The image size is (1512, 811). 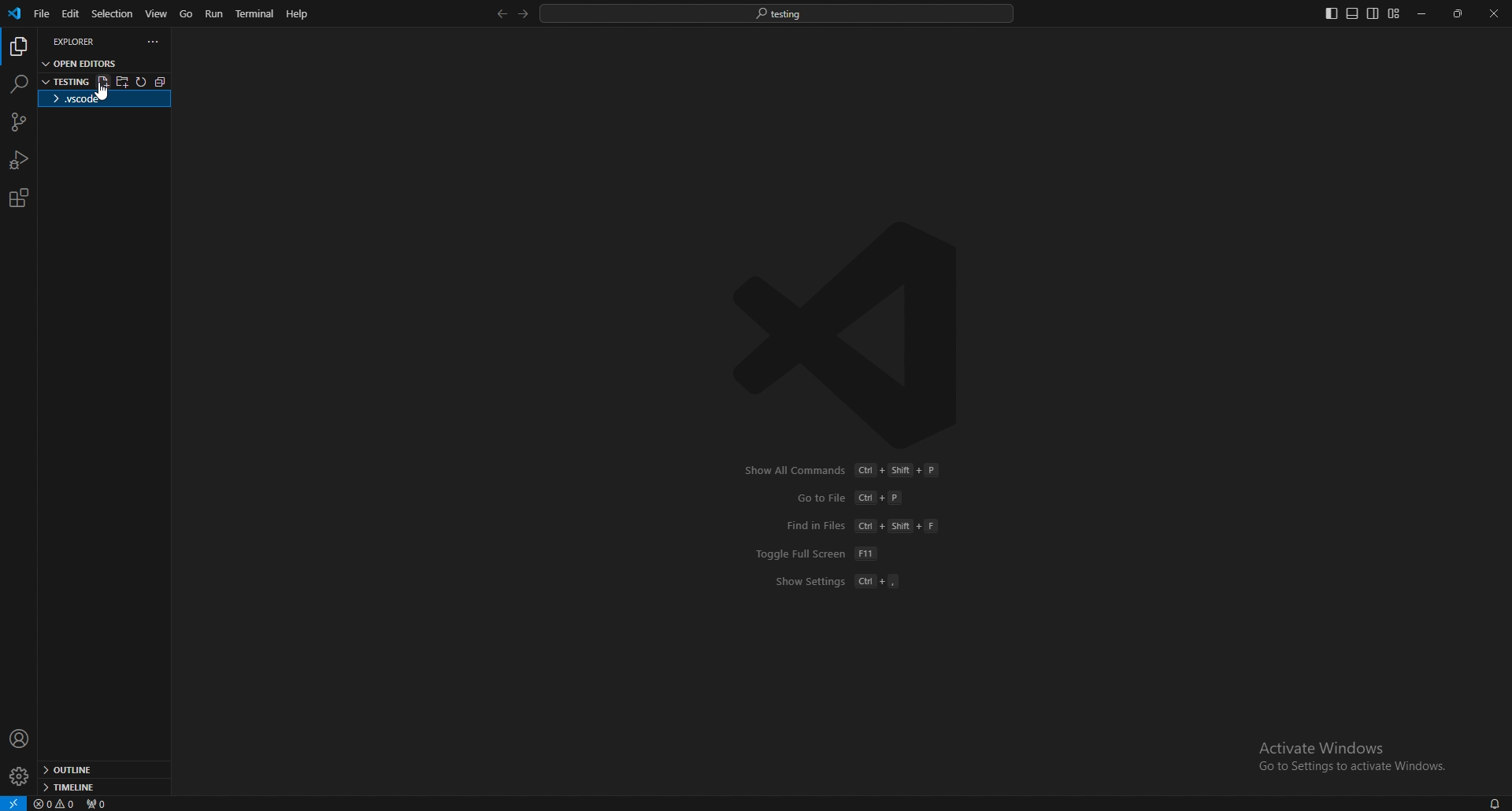 I want to click on explorer, so click(x=18, y=47).